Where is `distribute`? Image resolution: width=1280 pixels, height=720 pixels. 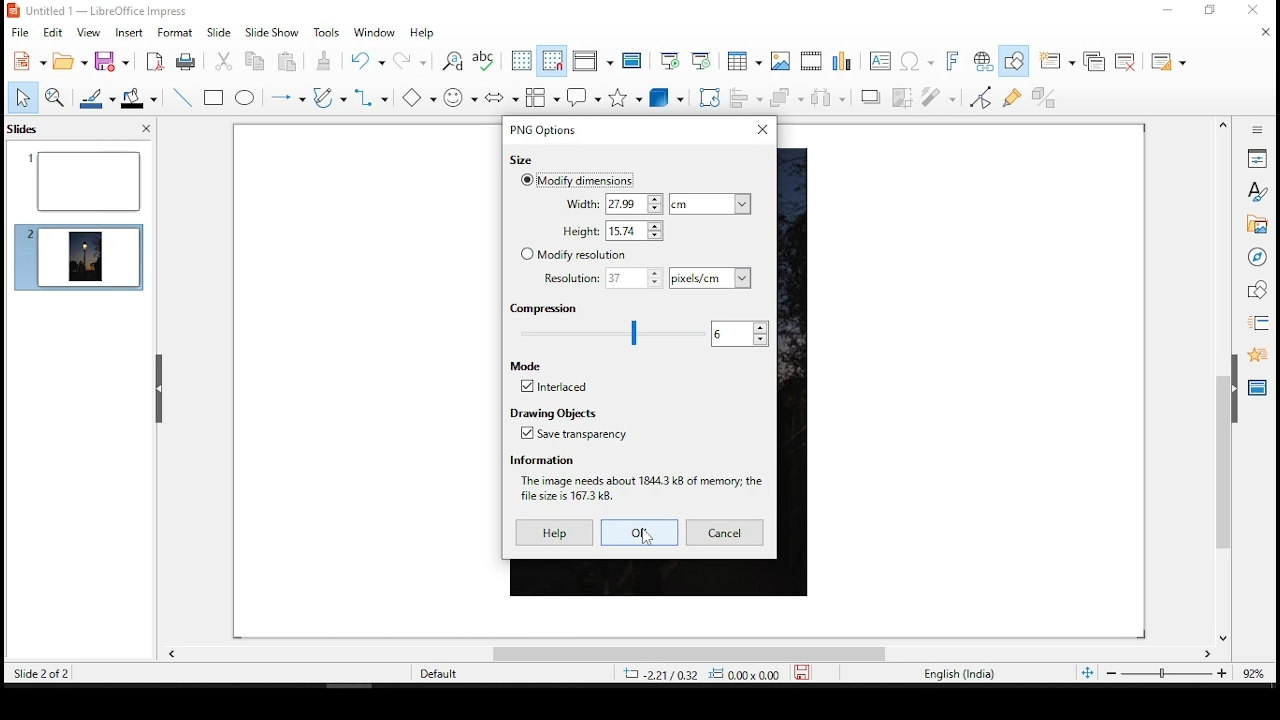 distribute is located at coordinates (830, 98).